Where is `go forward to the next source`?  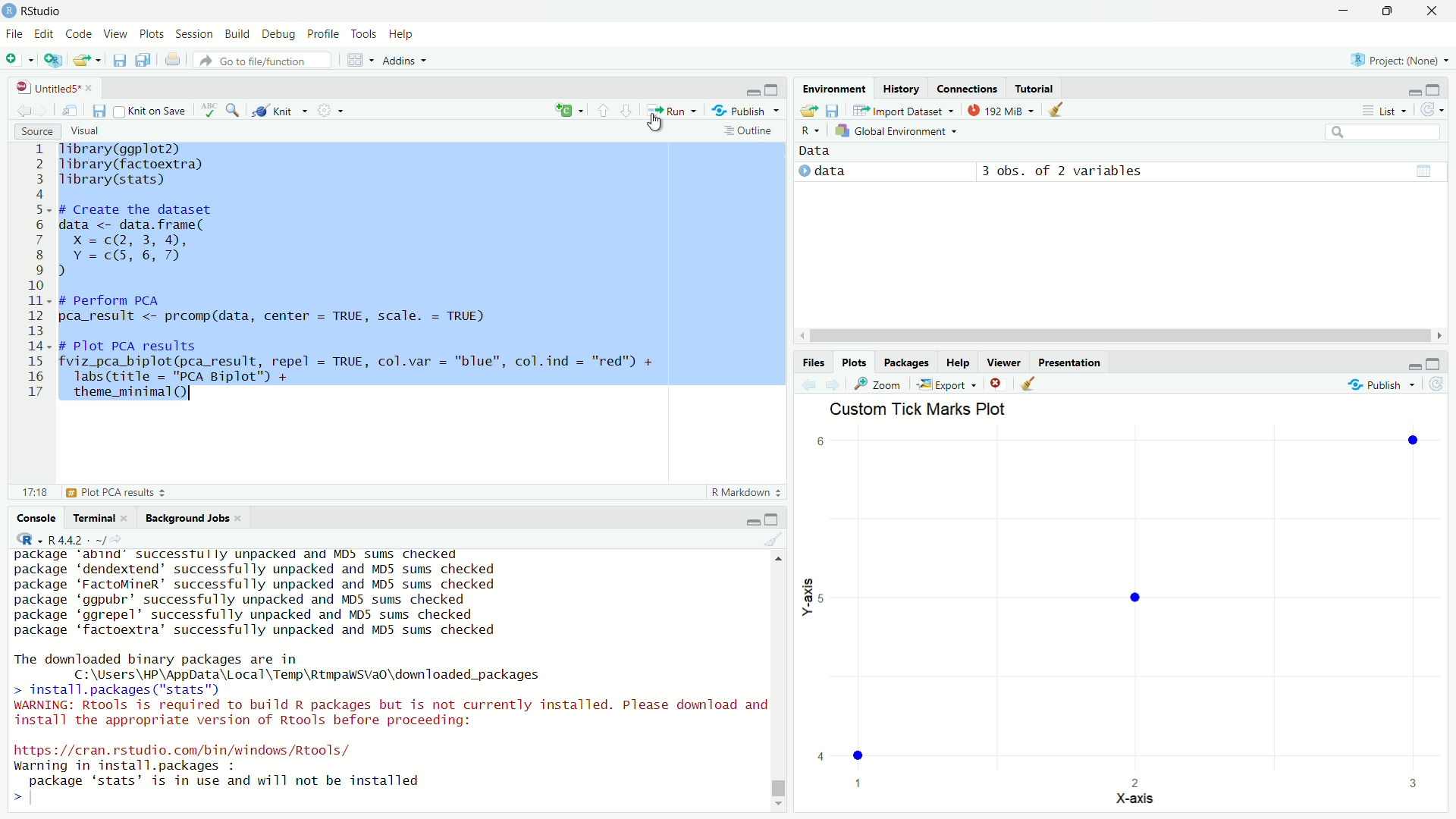
go forward to the next source is located at coordinates (43, 111).